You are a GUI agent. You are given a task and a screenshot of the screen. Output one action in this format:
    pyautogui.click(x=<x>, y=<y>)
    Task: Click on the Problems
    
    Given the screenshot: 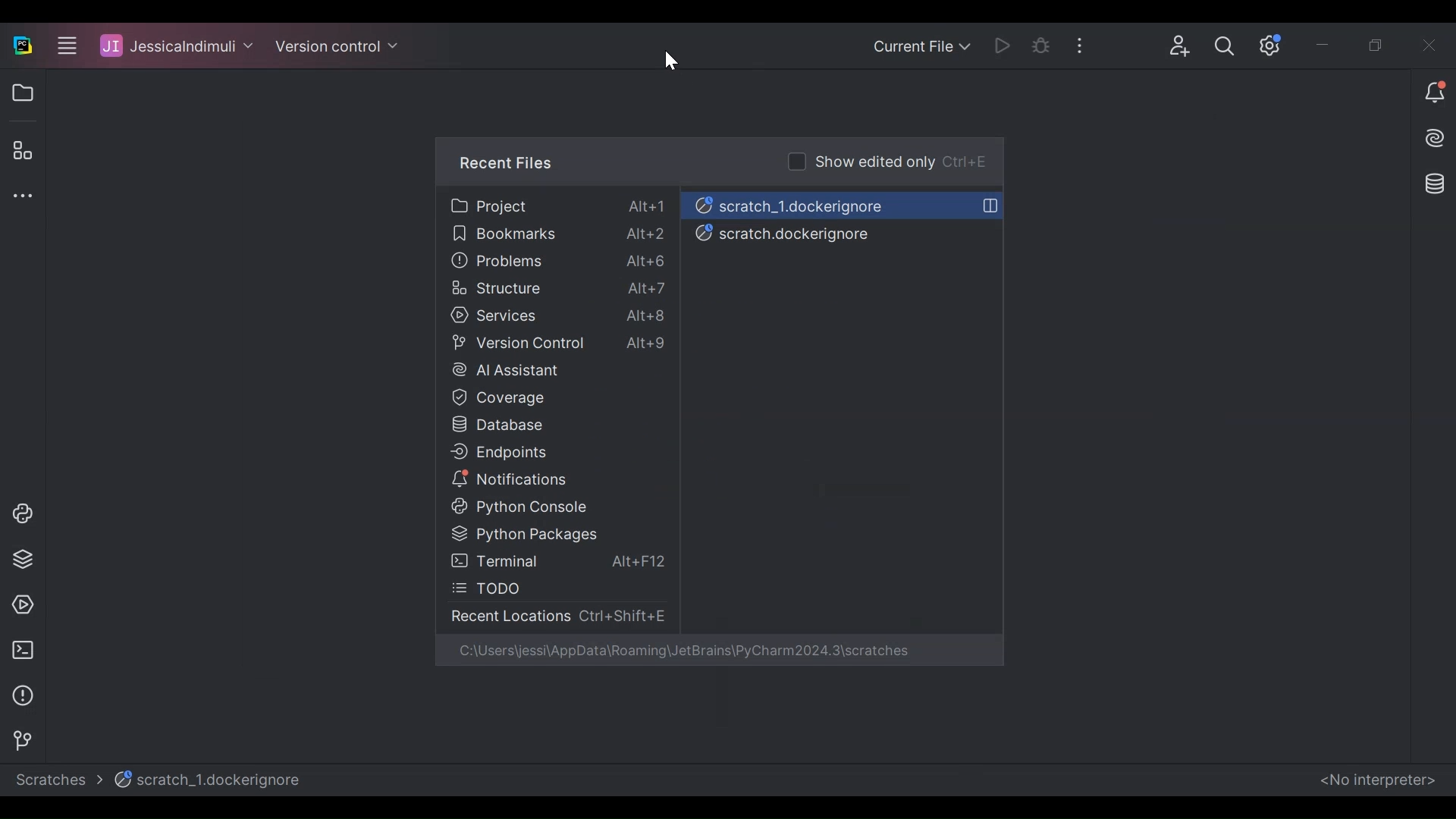 What is the action you would take?
    pyautogui.click(x=560, y=262)
    